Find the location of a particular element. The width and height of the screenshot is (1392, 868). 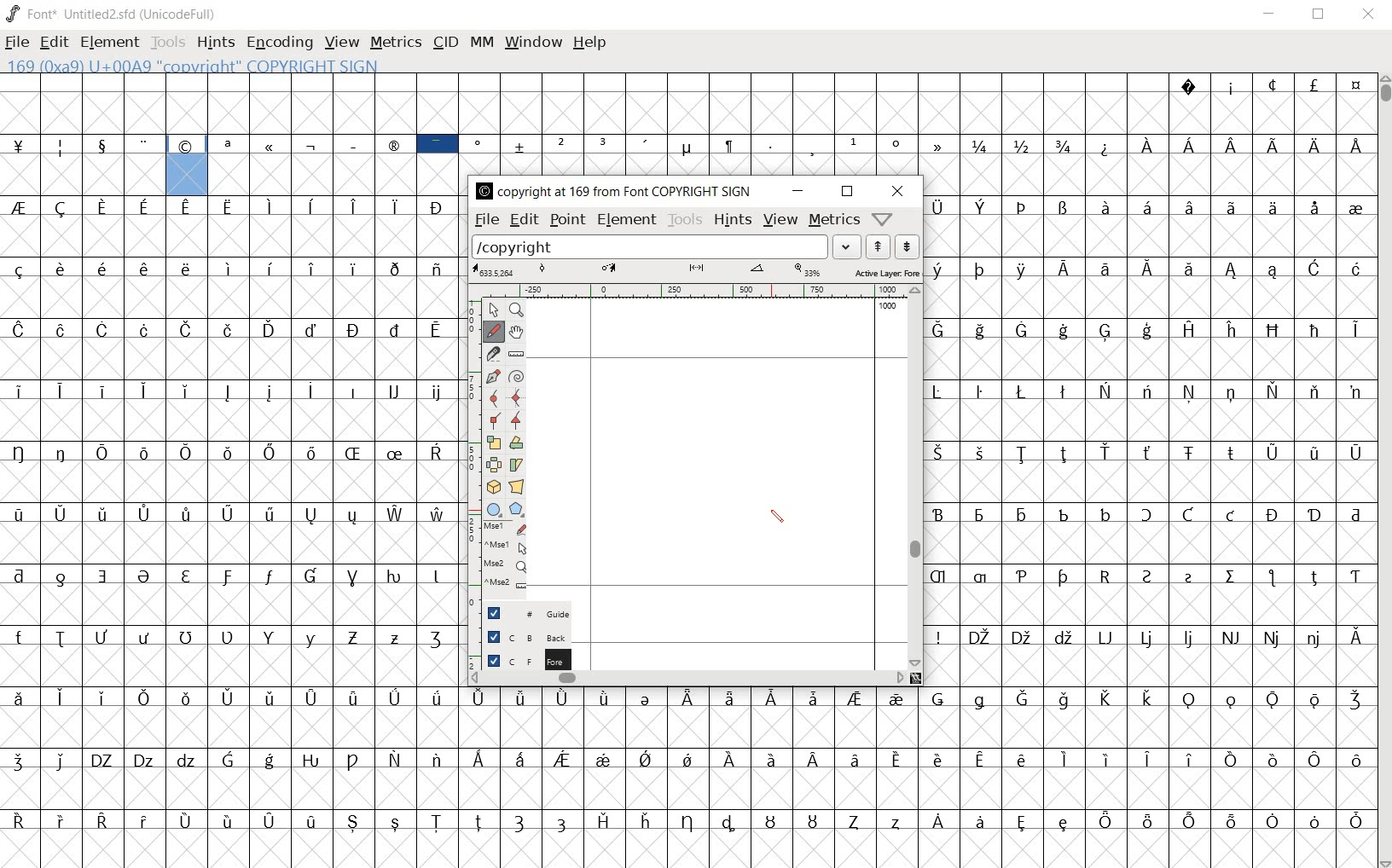

scrollbar is located at coordinates (687, 677).